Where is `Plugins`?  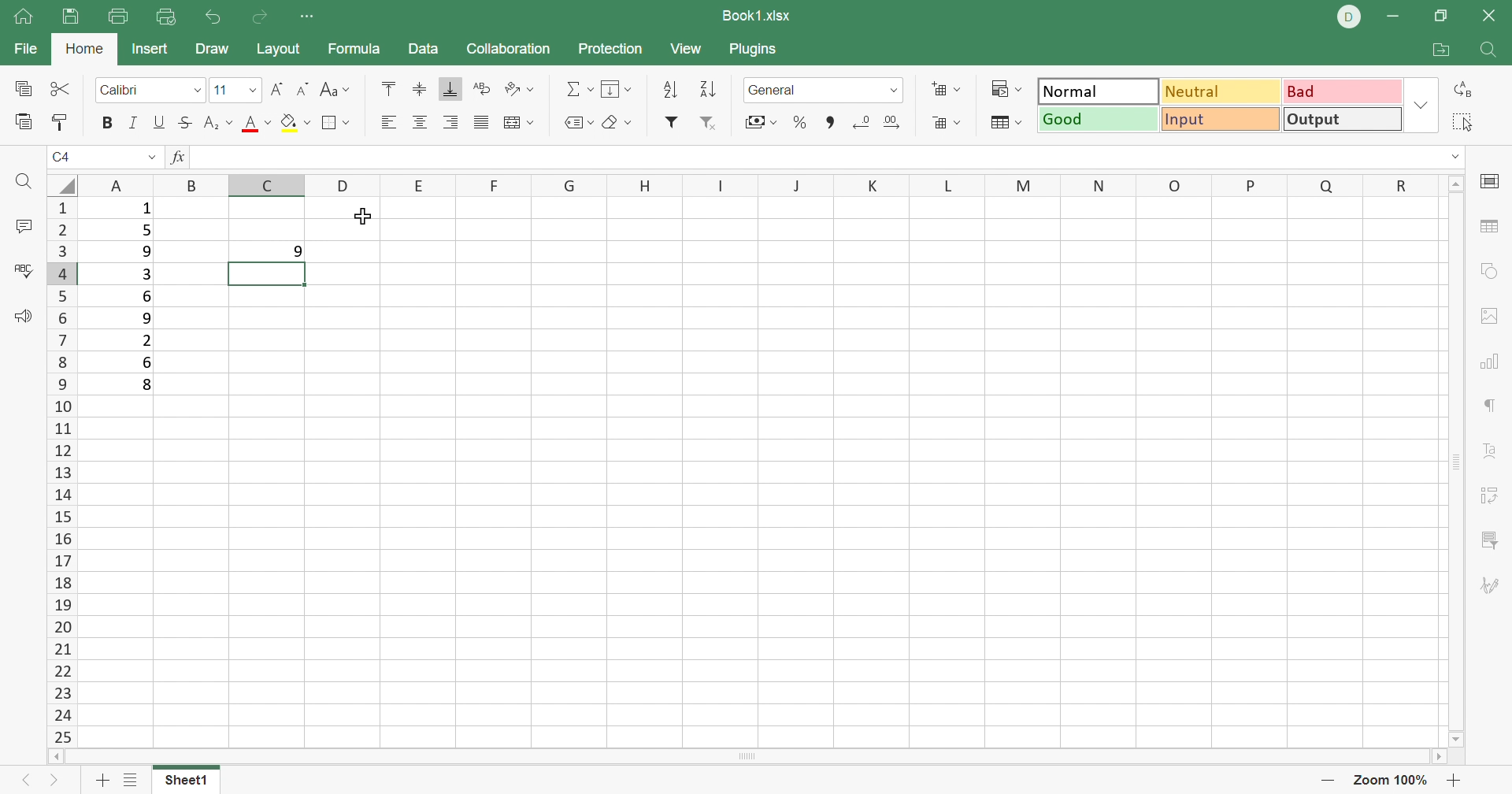
Plugins is located at coordinates (753, 47).